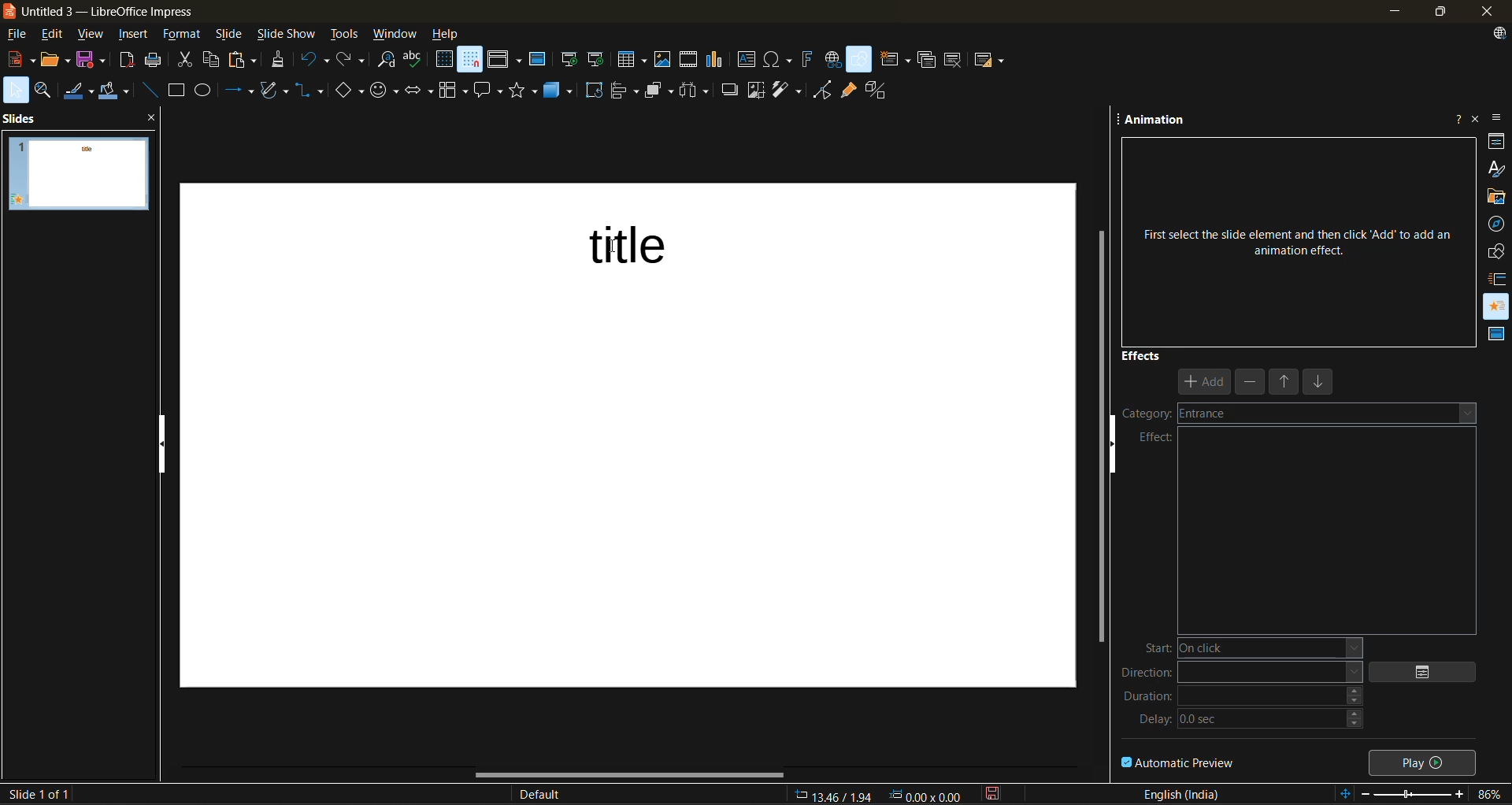 Image resolution: width=1512 pixels, height=805 pixels. What do you see at coordinates (280, 61) in the screenshot?
I see `clone formatting` at bounding box center [280, 61].